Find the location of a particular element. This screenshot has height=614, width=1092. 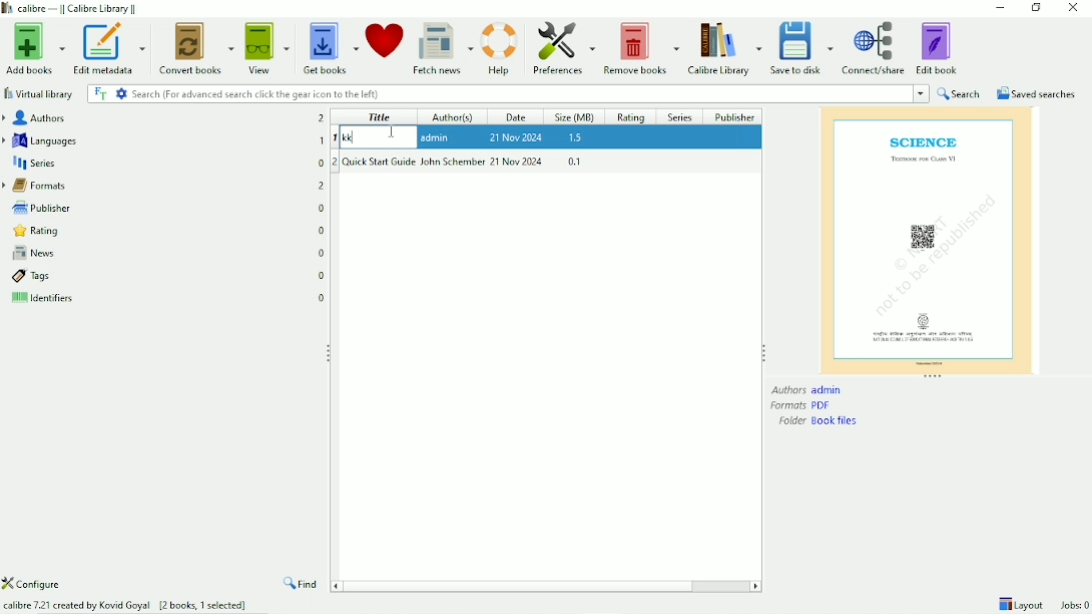

Find is located at coordinates (302, 584).